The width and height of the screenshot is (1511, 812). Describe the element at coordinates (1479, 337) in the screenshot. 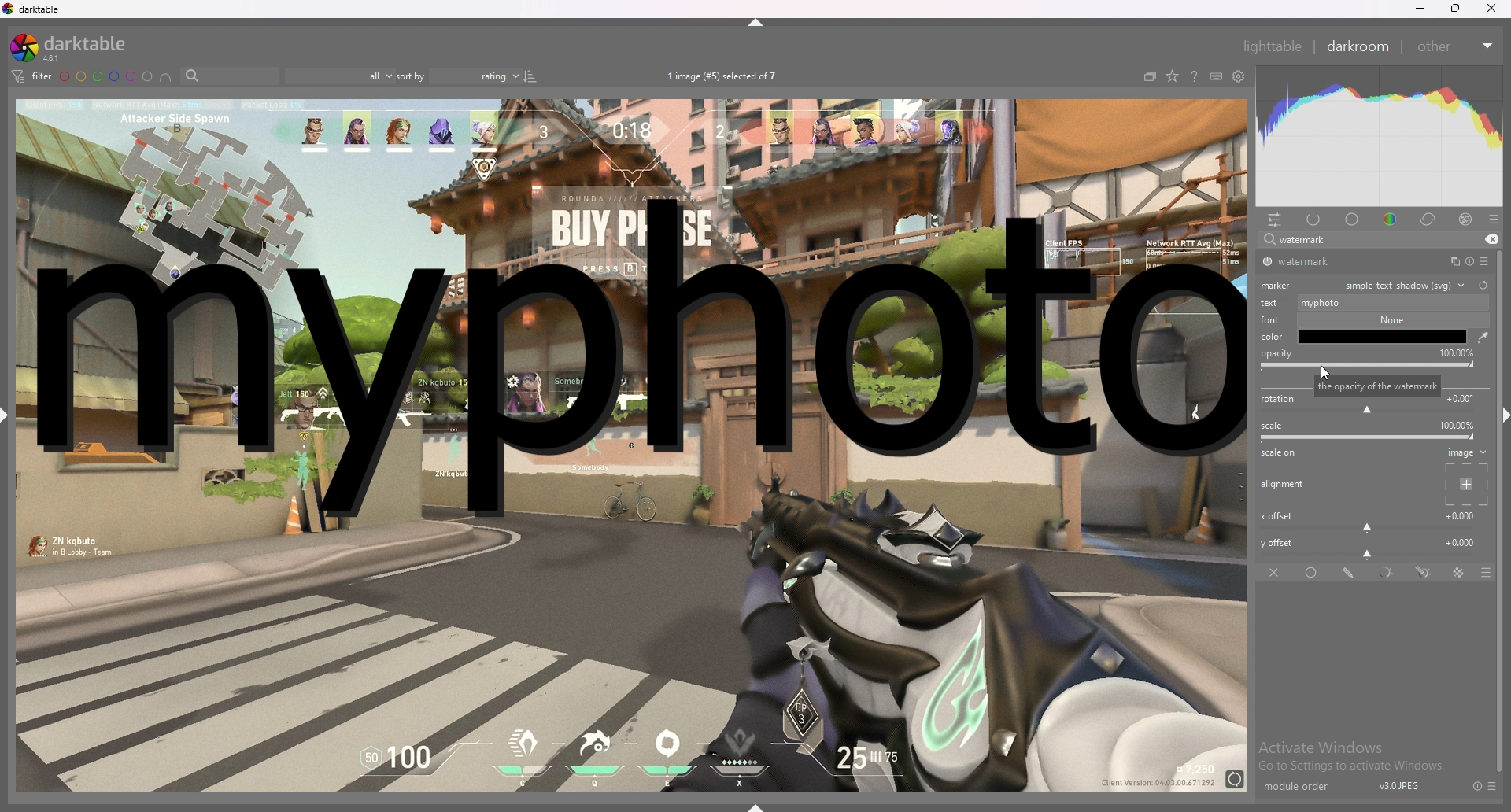

I see `waterdrop tool` at that location.